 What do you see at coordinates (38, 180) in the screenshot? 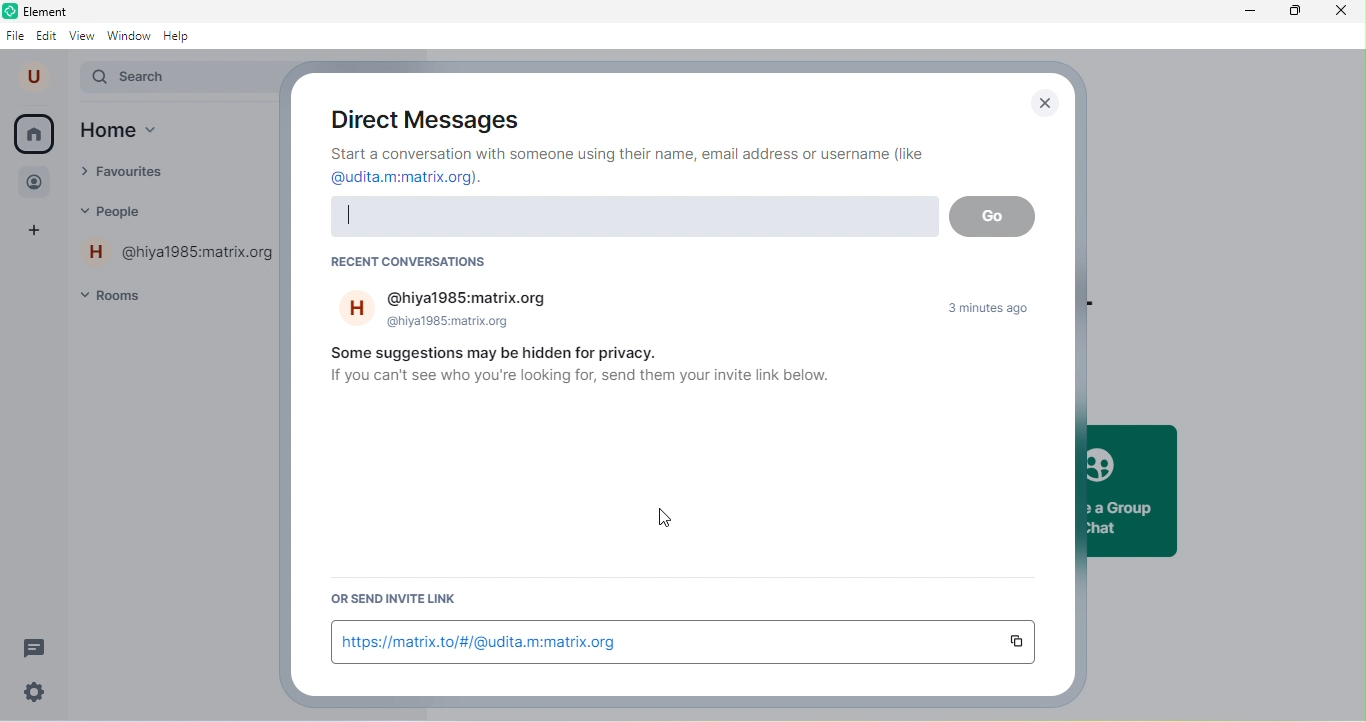
I see `people` at bounding box center [38, 180].